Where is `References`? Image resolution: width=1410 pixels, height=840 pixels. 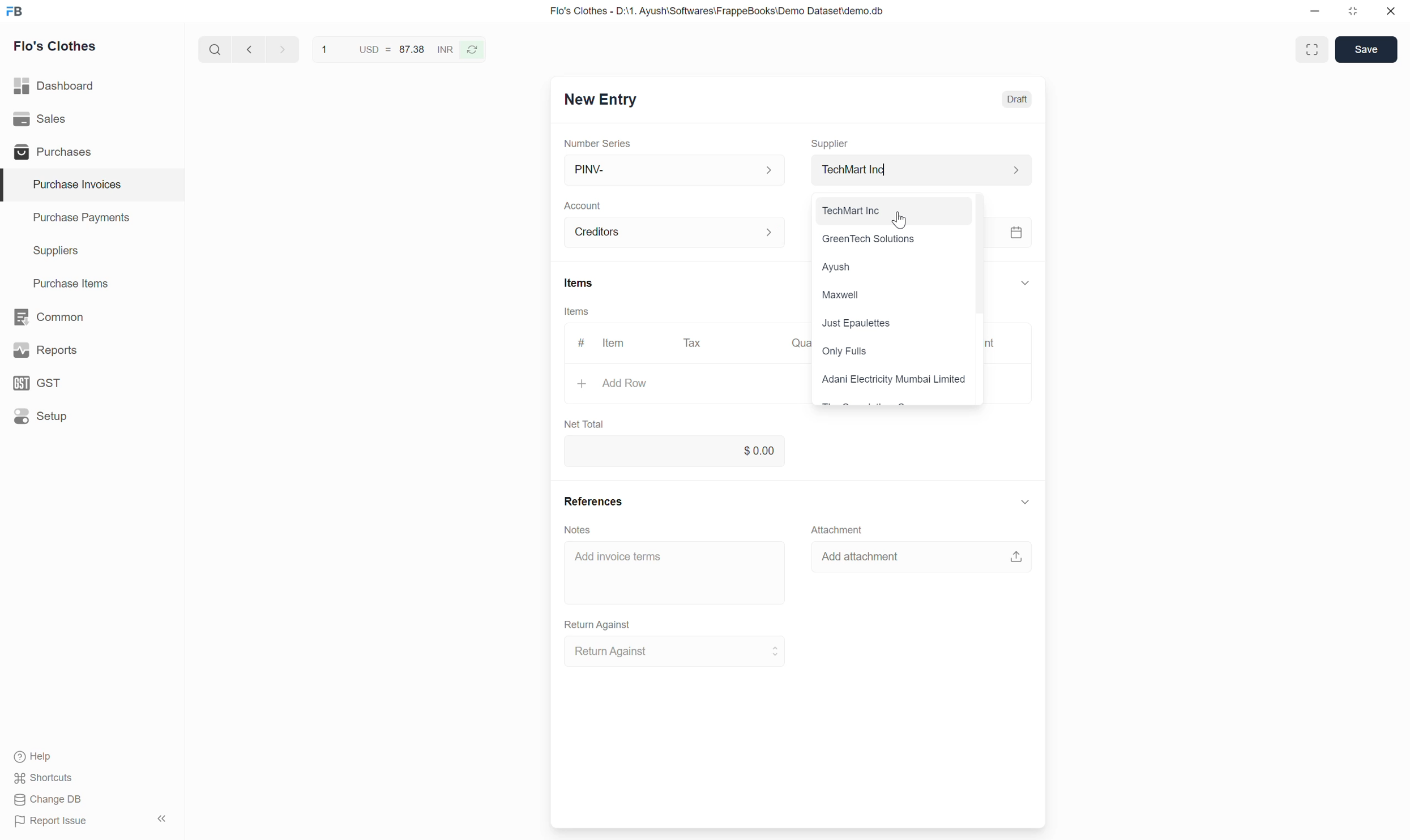
References is located at coordinates (595, 501).